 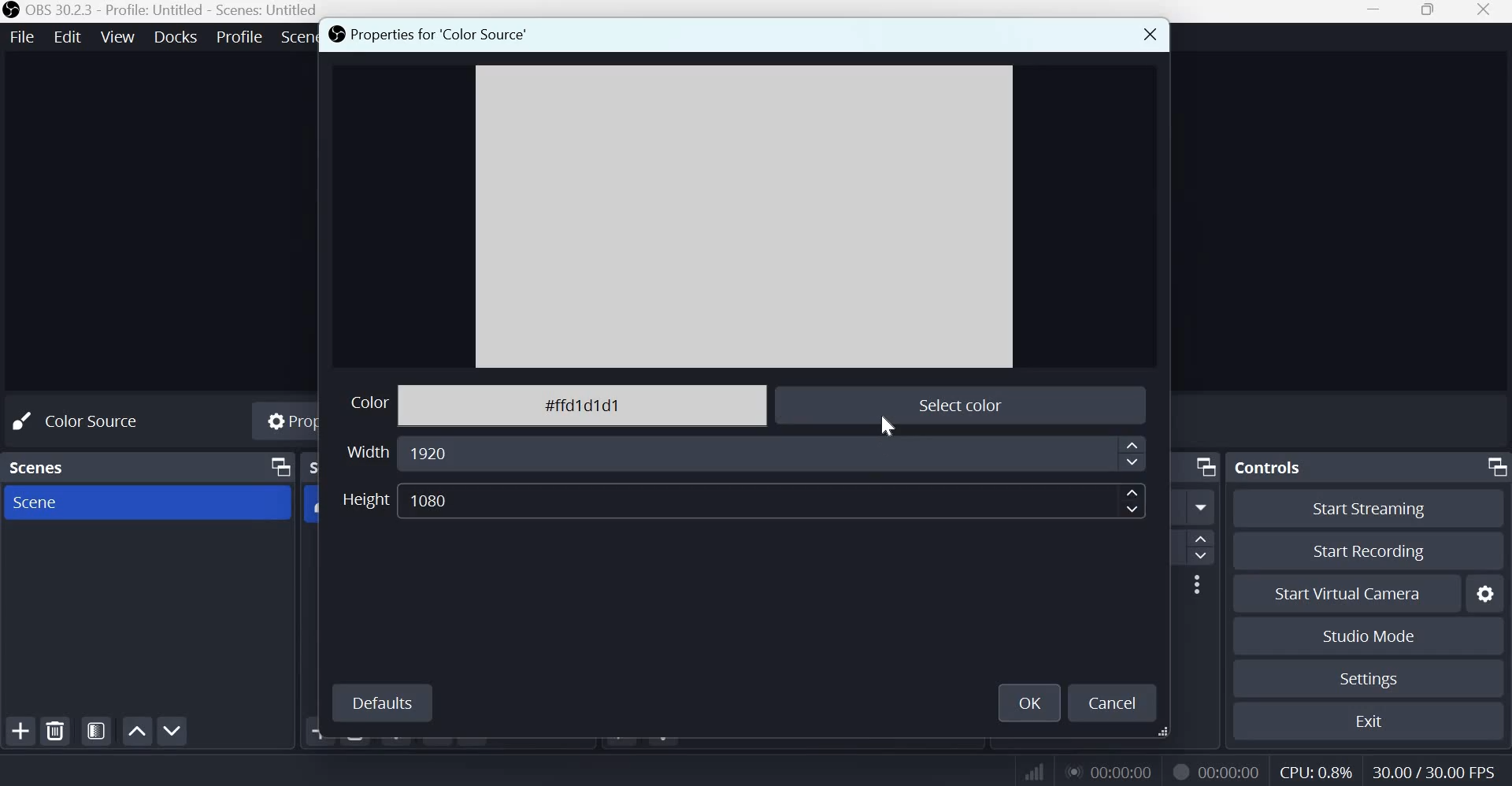 What do you see at coordinates (58, 731) in the screenshot?
I see `remove selected scene(s)` at bounding box center [58, 731].